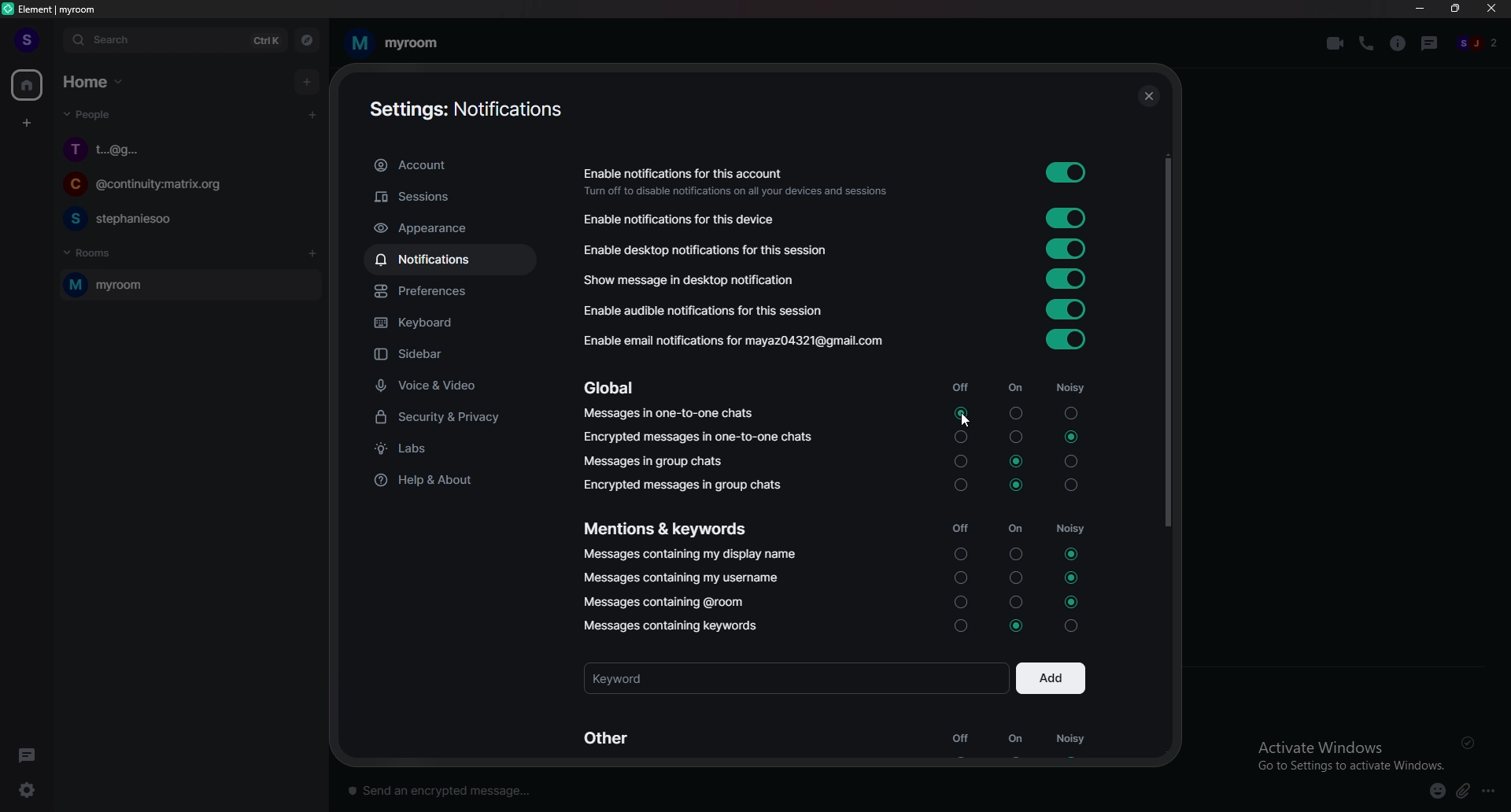  I want to click on start chat, so click(312, 116).